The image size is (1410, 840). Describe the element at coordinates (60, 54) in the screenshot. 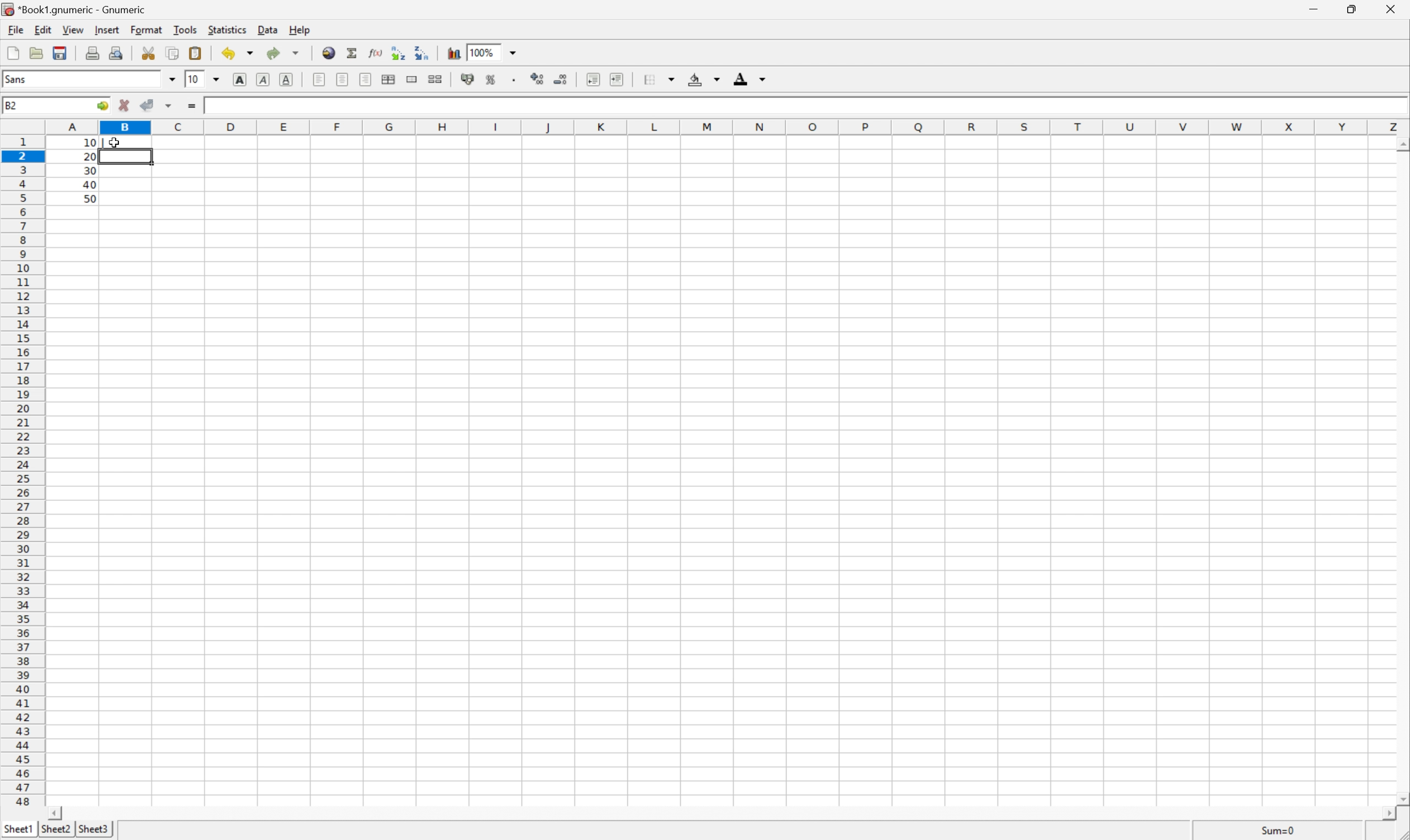

I see `Save current workbook` at that location.